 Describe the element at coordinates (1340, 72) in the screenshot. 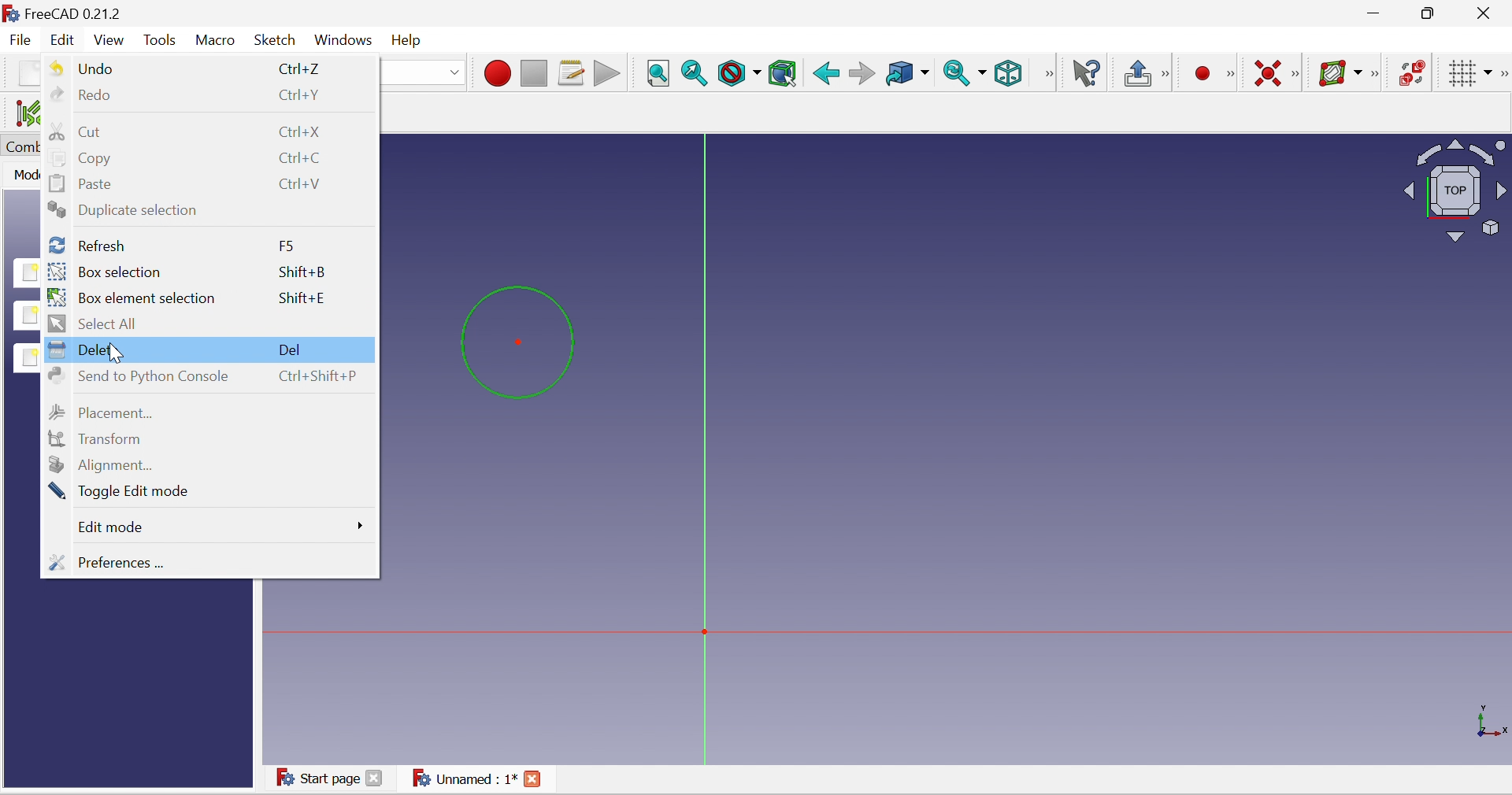

I see `Show/hide B-spline information layer` at that location.